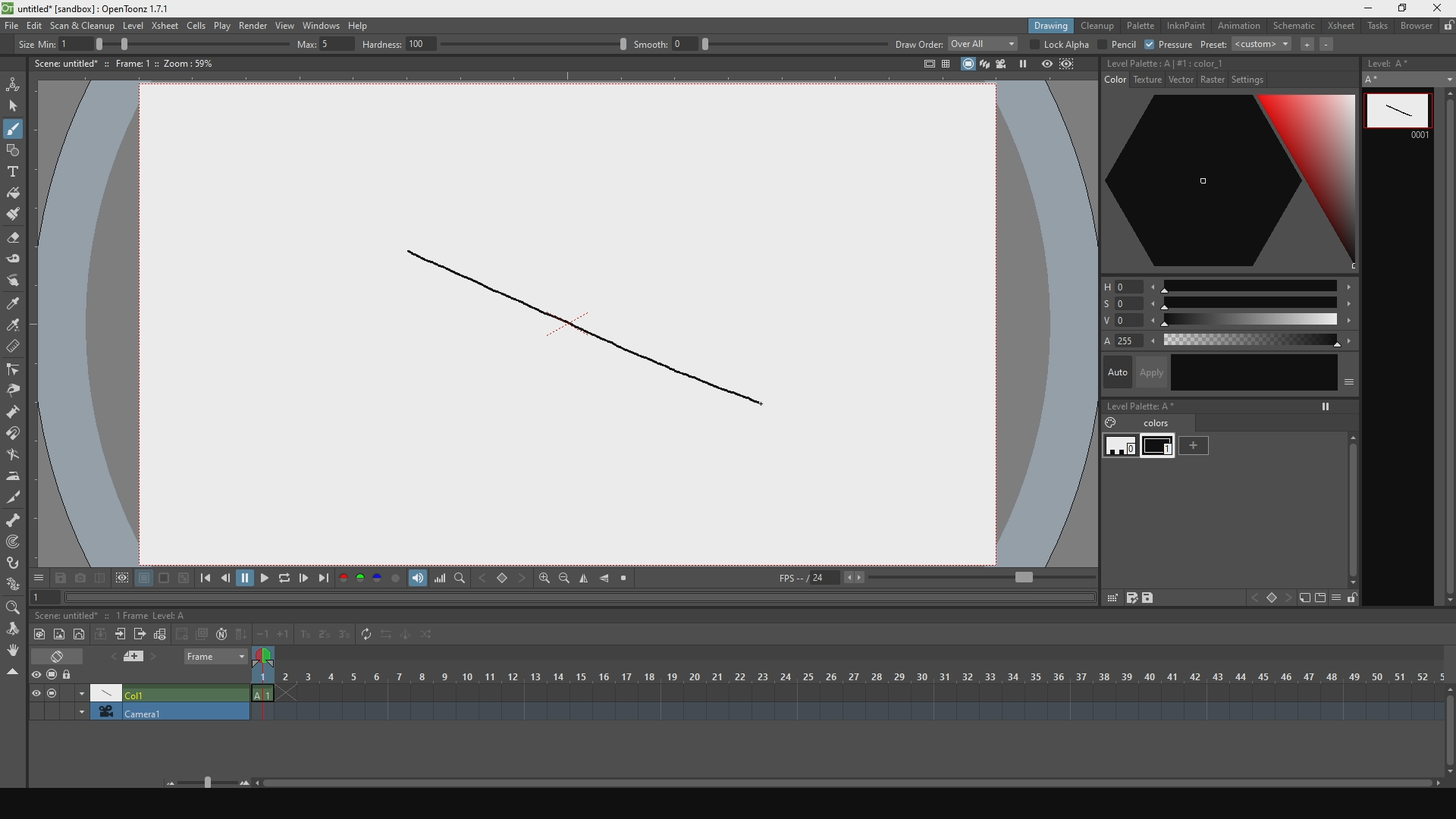 This screenshot has height=819, width=1456. What do you see at coordinates (1379, 30) in the screenshot?
I see `tasks` at bounding box center [1379, 30].